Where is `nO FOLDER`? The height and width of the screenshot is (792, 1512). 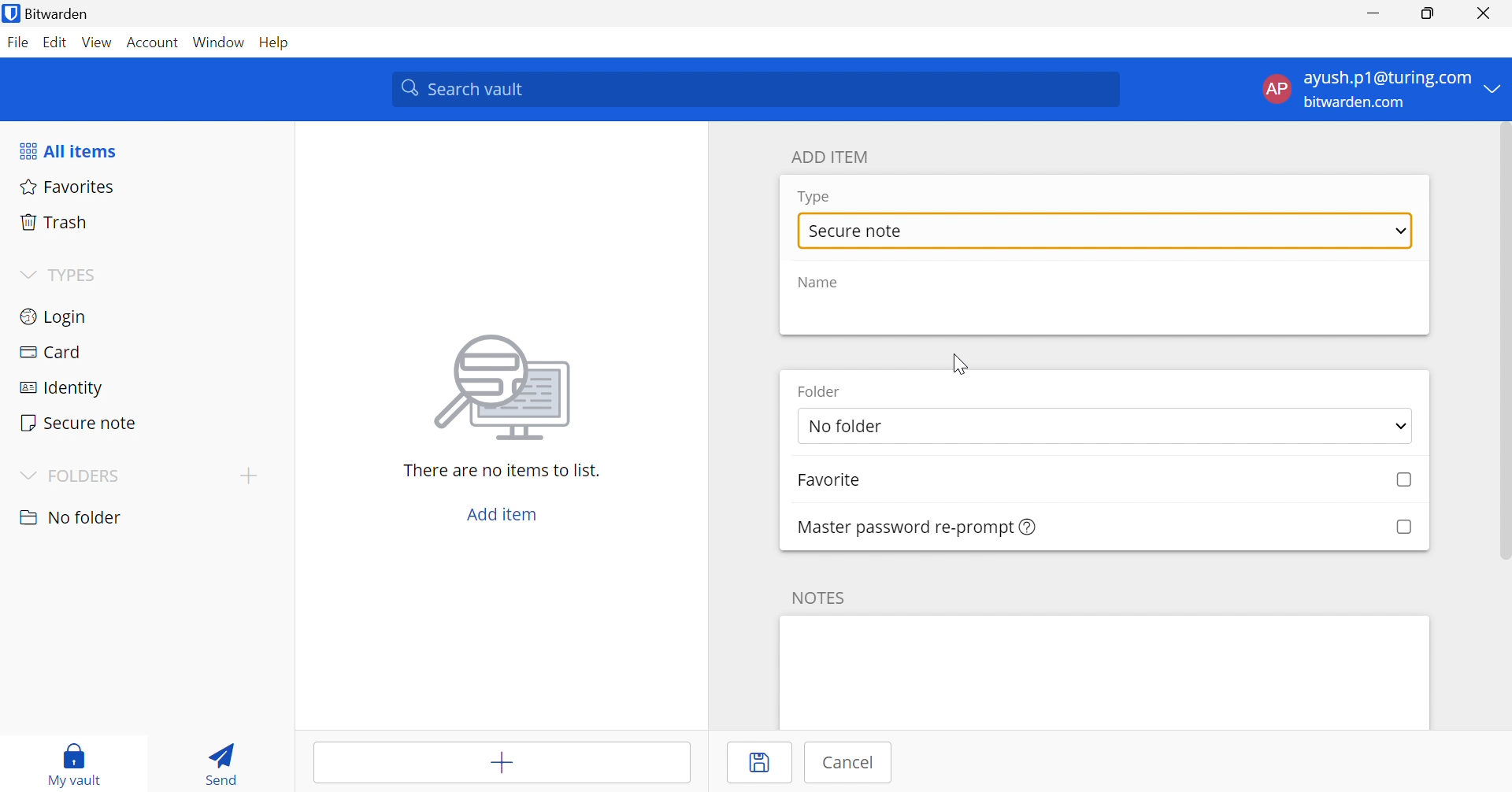
nO FOLDER is located at coordinates (74, 517).